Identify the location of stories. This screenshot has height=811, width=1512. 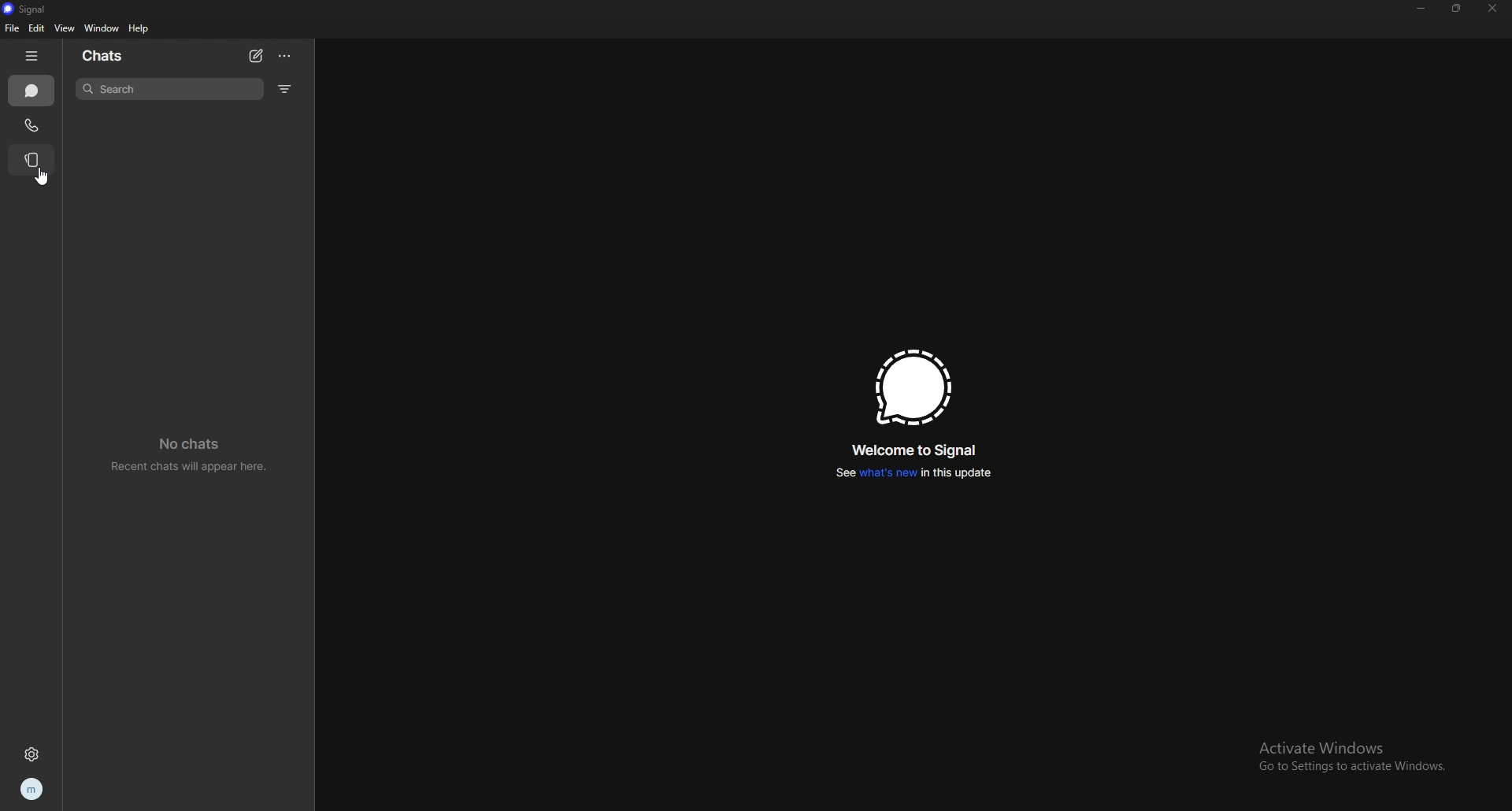
(31, 161).